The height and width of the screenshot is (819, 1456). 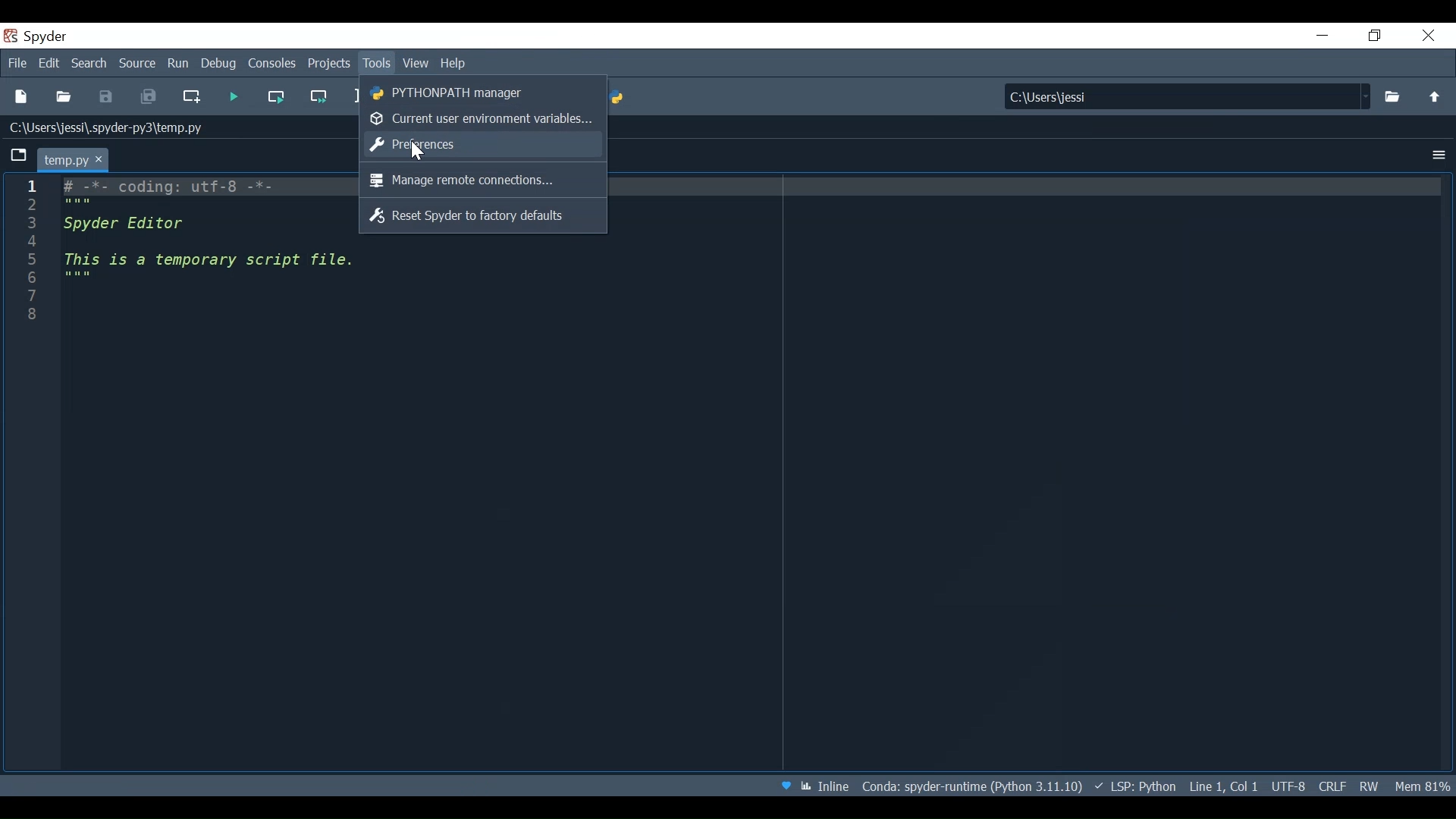 What do you see at coordinates (1376, 35) in the screenshot?
I see `Restore` at bounding box center [1376, 35].